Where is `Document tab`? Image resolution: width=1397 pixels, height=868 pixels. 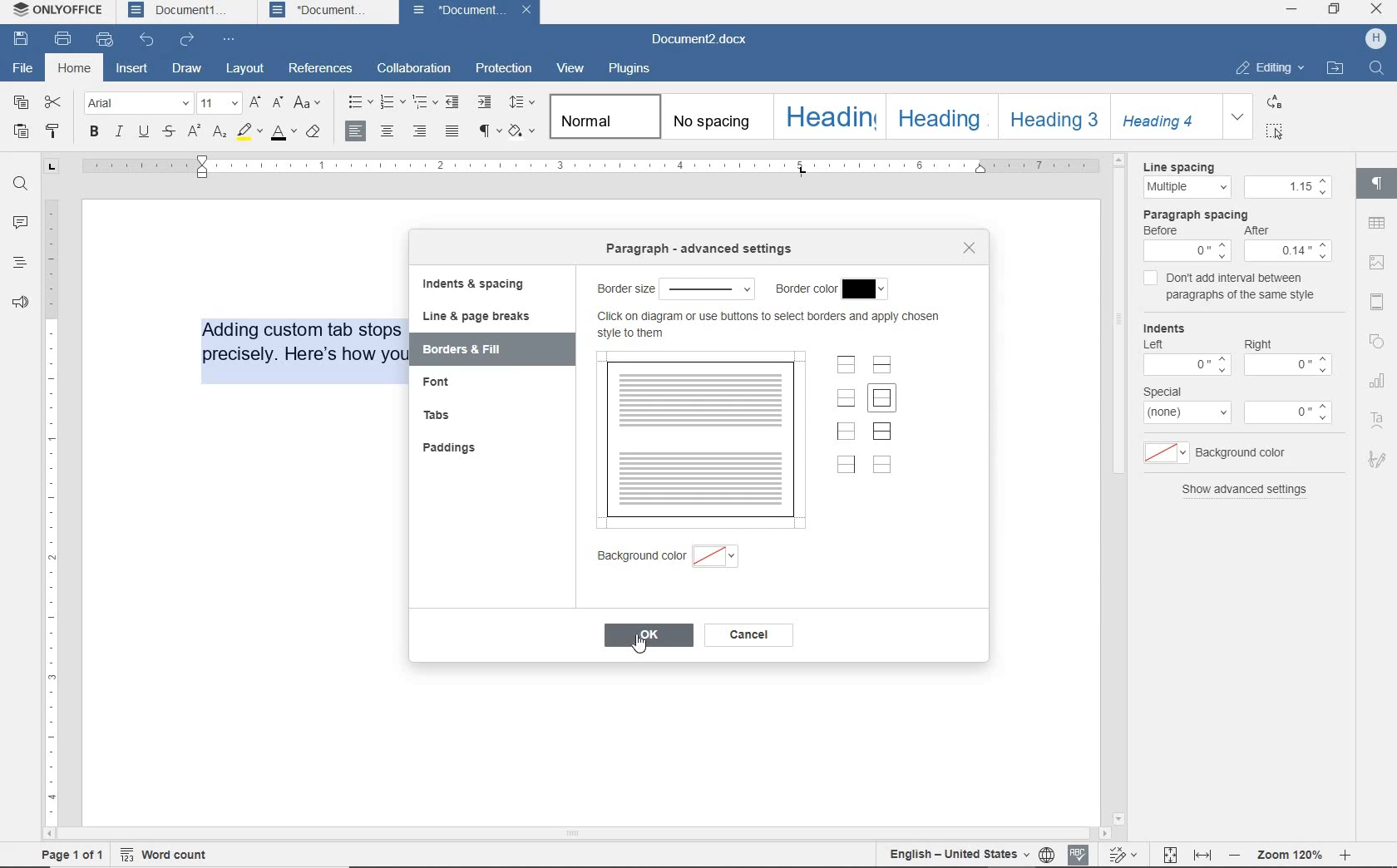
Document tab is located at coordinates (322, 11).